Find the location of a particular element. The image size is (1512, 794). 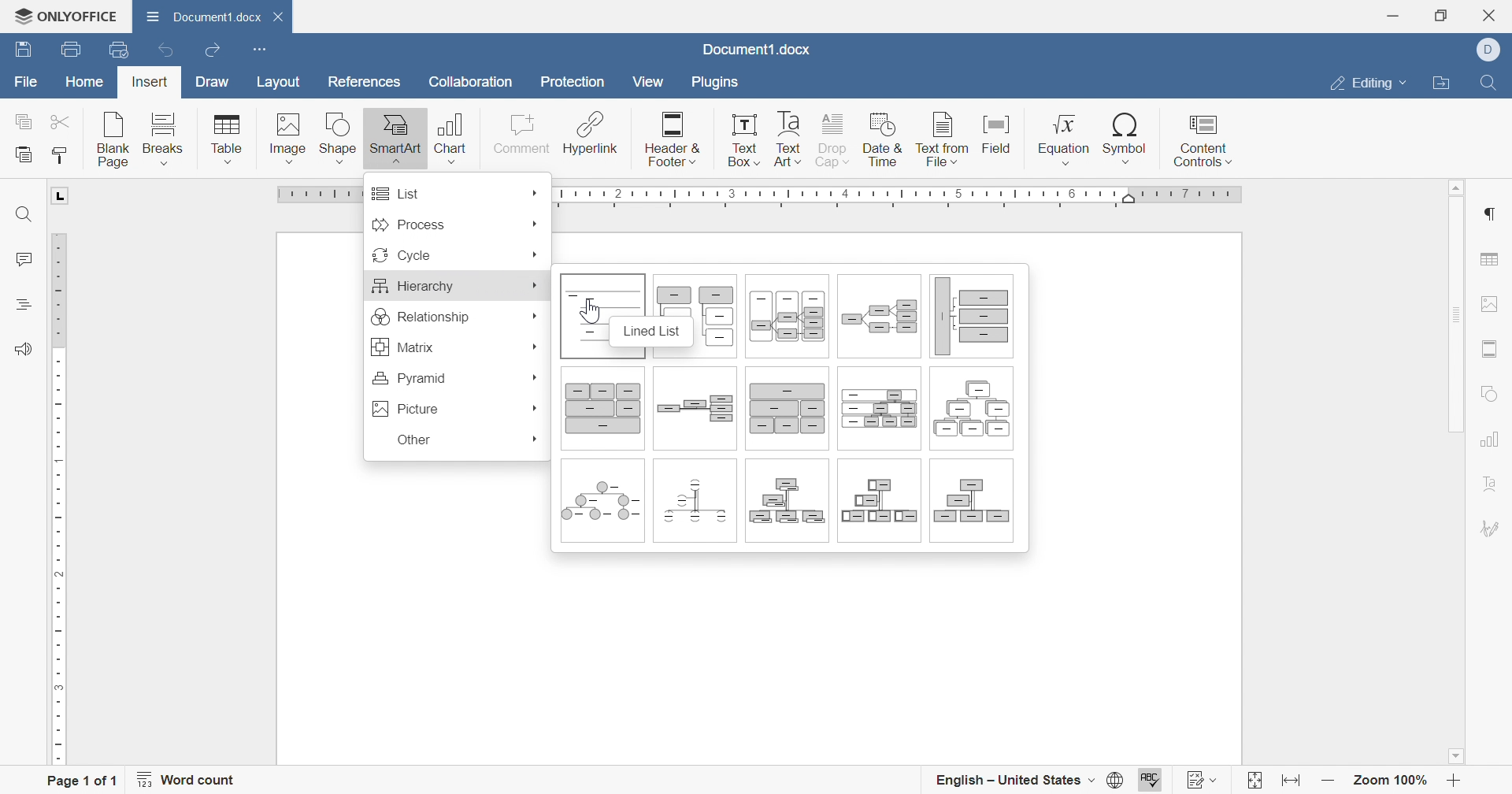

Scroll up is located at coordinates (1458, 185).